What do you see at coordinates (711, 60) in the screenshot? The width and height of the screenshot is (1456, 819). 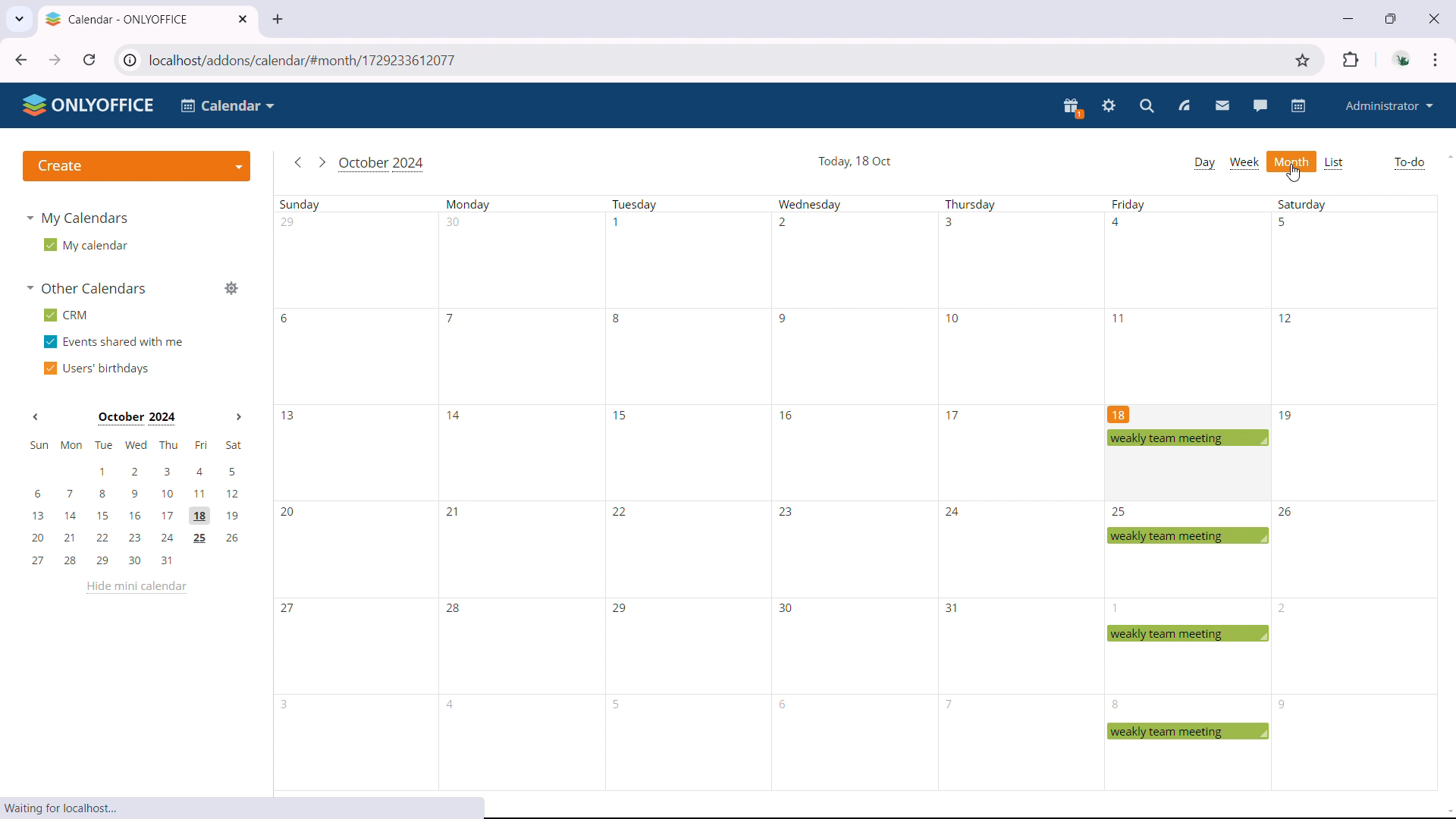 I see `URL` at bounding box center [711, 60].